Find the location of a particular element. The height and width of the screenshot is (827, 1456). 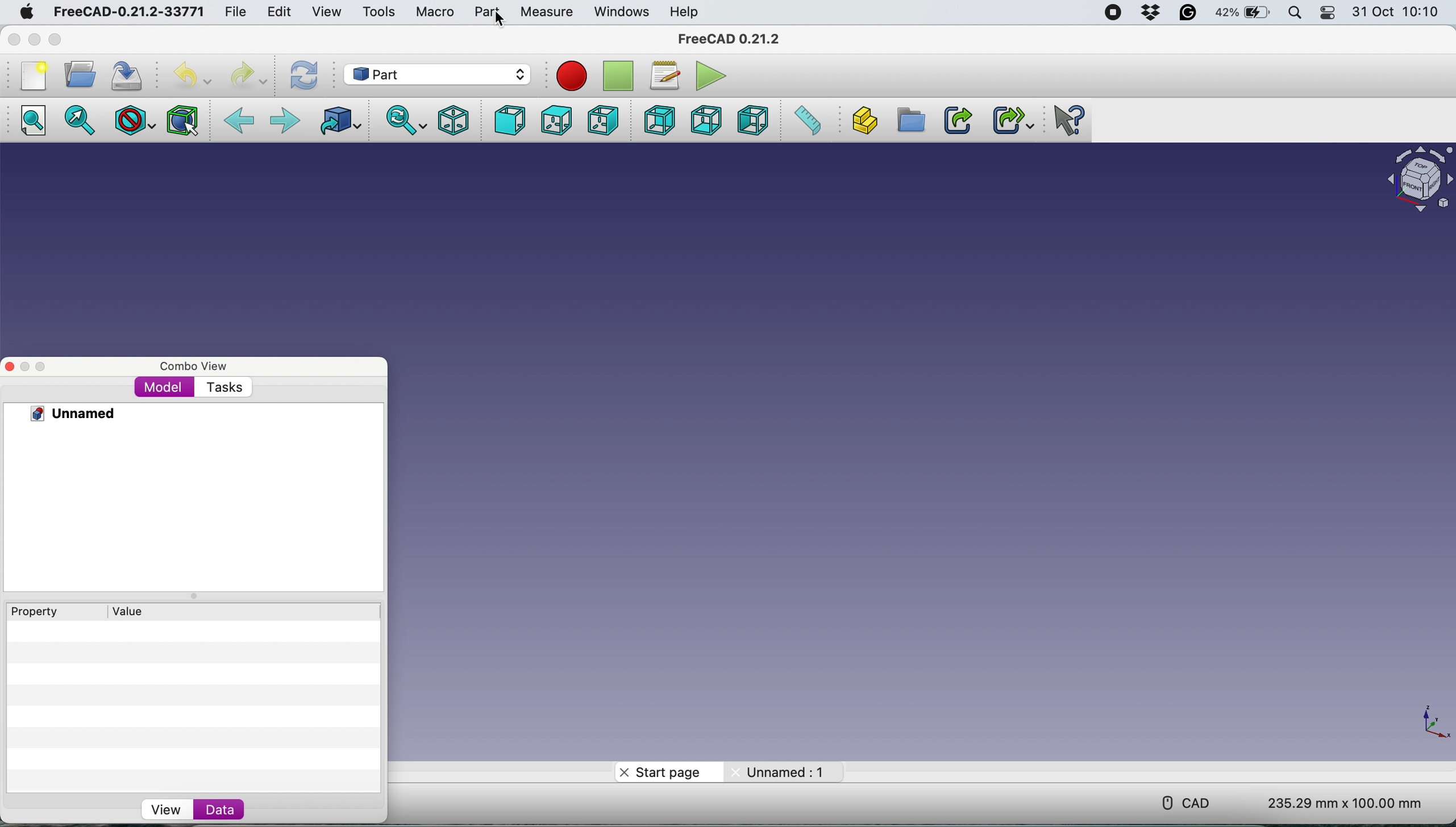

Screen recorder is located at coordinates (1115, 12).